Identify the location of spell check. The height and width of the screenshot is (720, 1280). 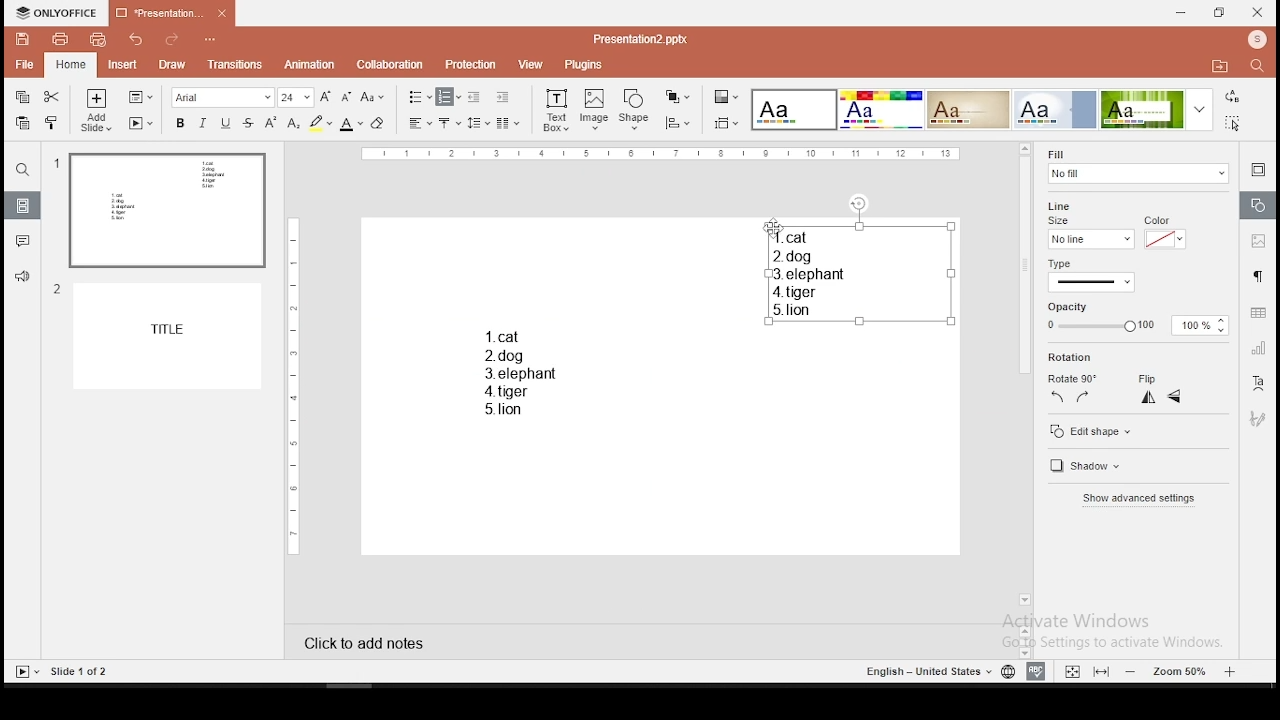
(1039, 672).